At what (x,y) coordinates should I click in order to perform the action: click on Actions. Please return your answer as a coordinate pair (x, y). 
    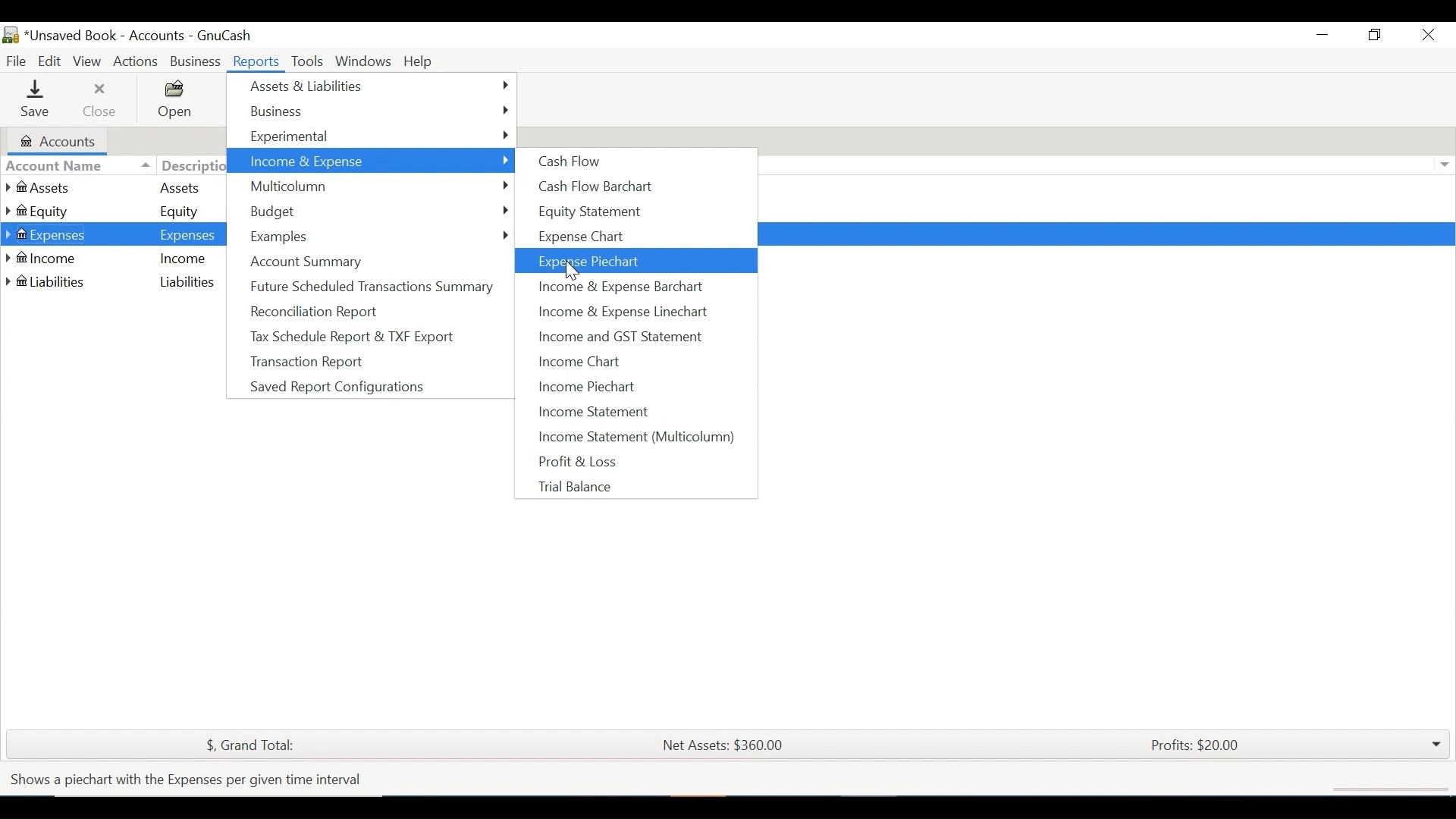
    Looking at the image, I should click on (136, 58).